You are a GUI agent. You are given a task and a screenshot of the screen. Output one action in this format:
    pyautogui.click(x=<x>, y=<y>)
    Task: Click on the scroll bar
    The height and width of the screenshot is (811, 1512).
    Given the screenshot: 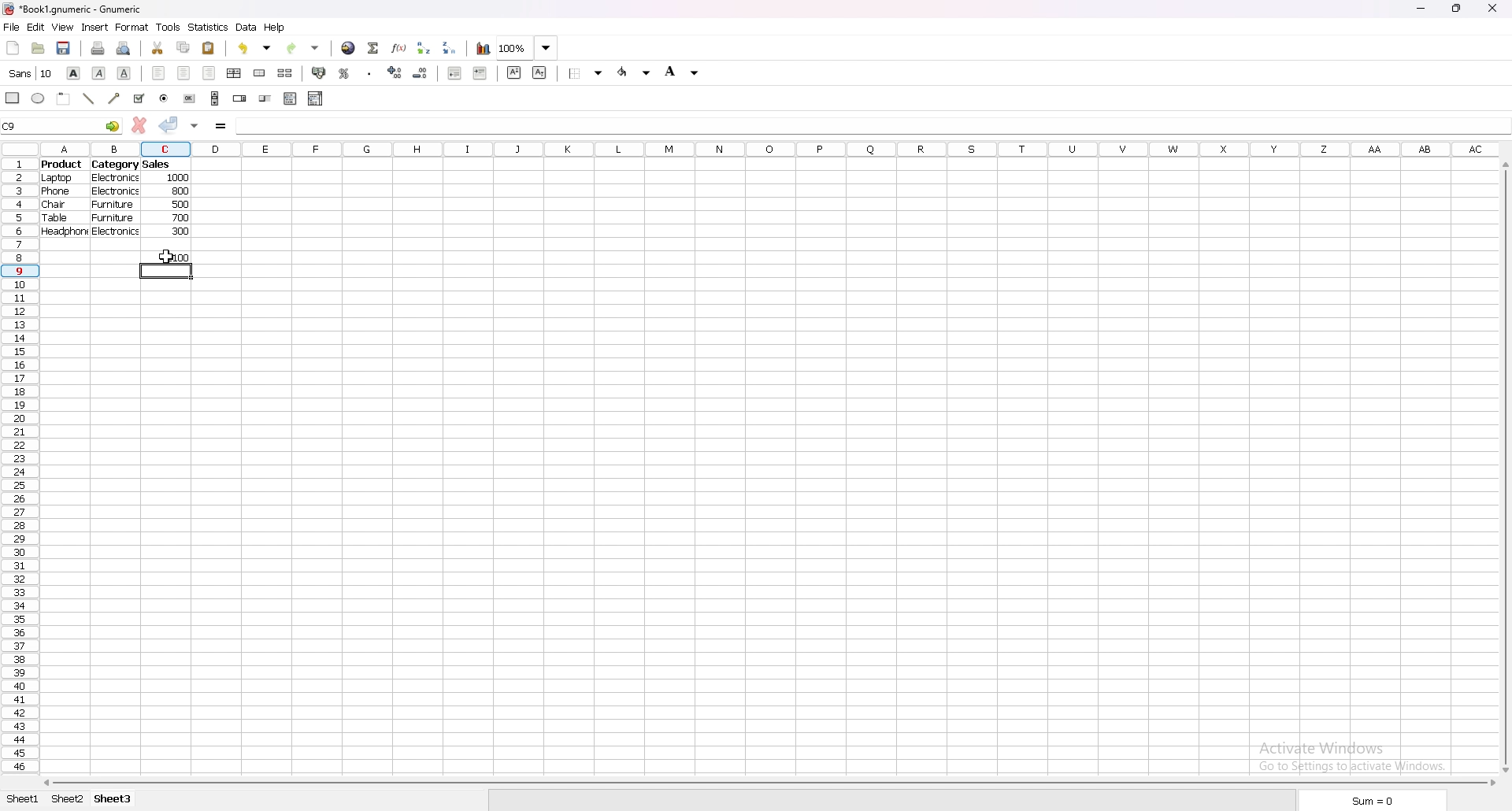 What is the action you would take?
    pyautogui.click(x=1506, y=465)
    